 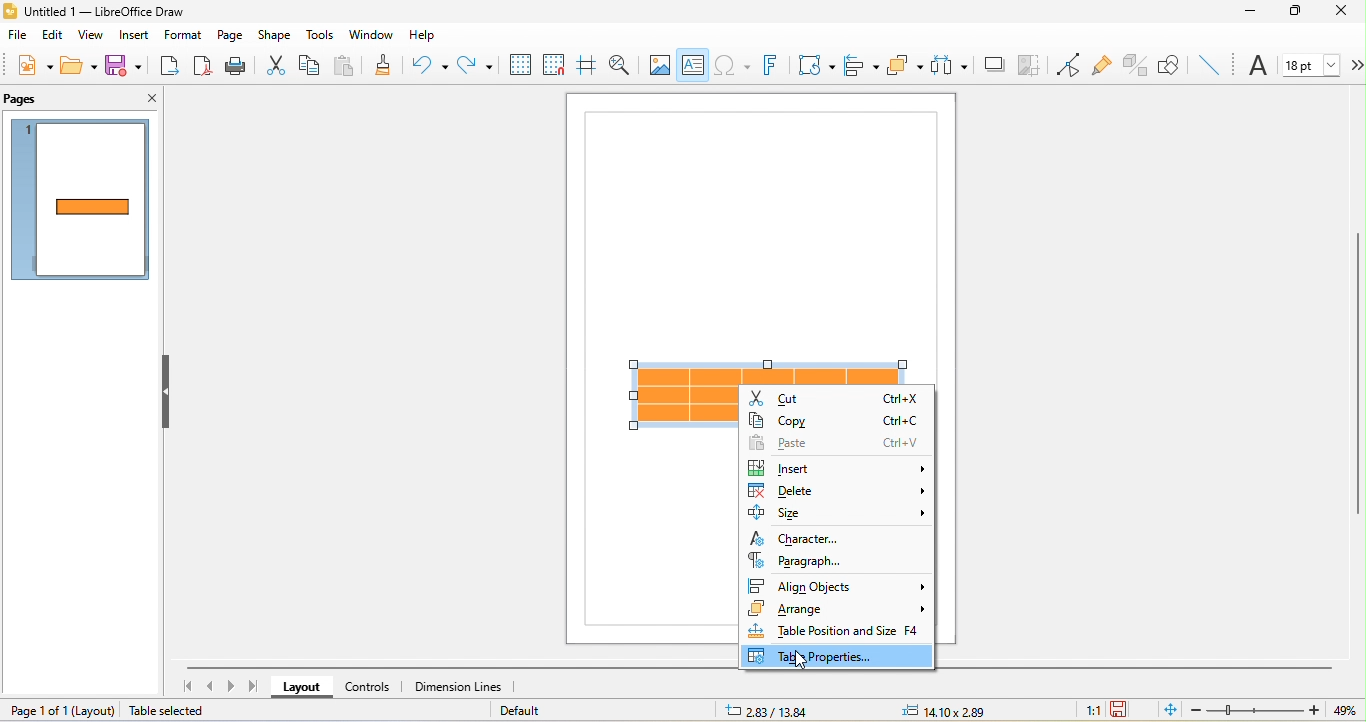 What do you see at coordinates (1030, 65) in the screenshot?
I see `crop image` at bounding box center [1030, 65].